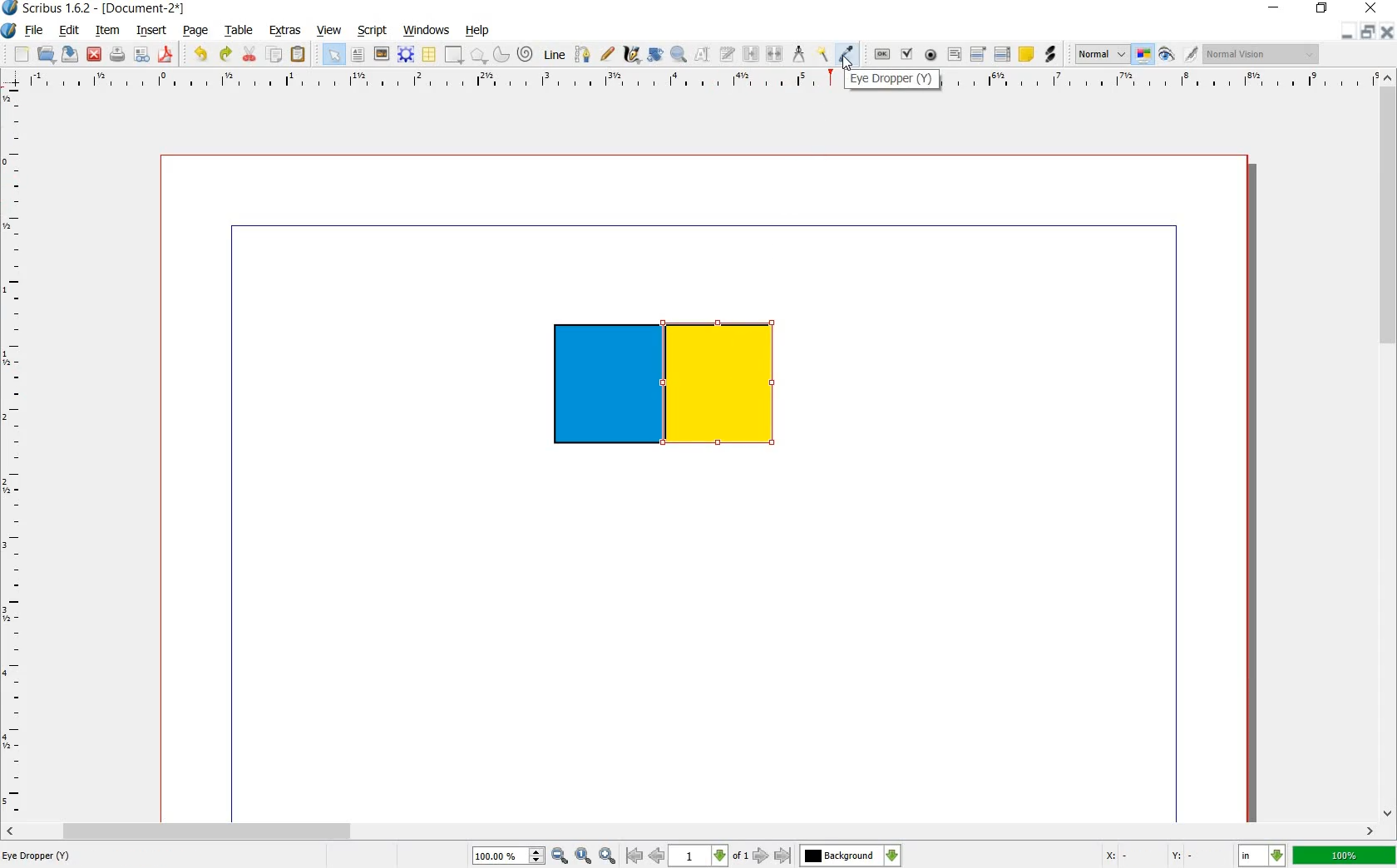 This screenshot has width=1397, height=868. I want to click on line, so click(555, 55).